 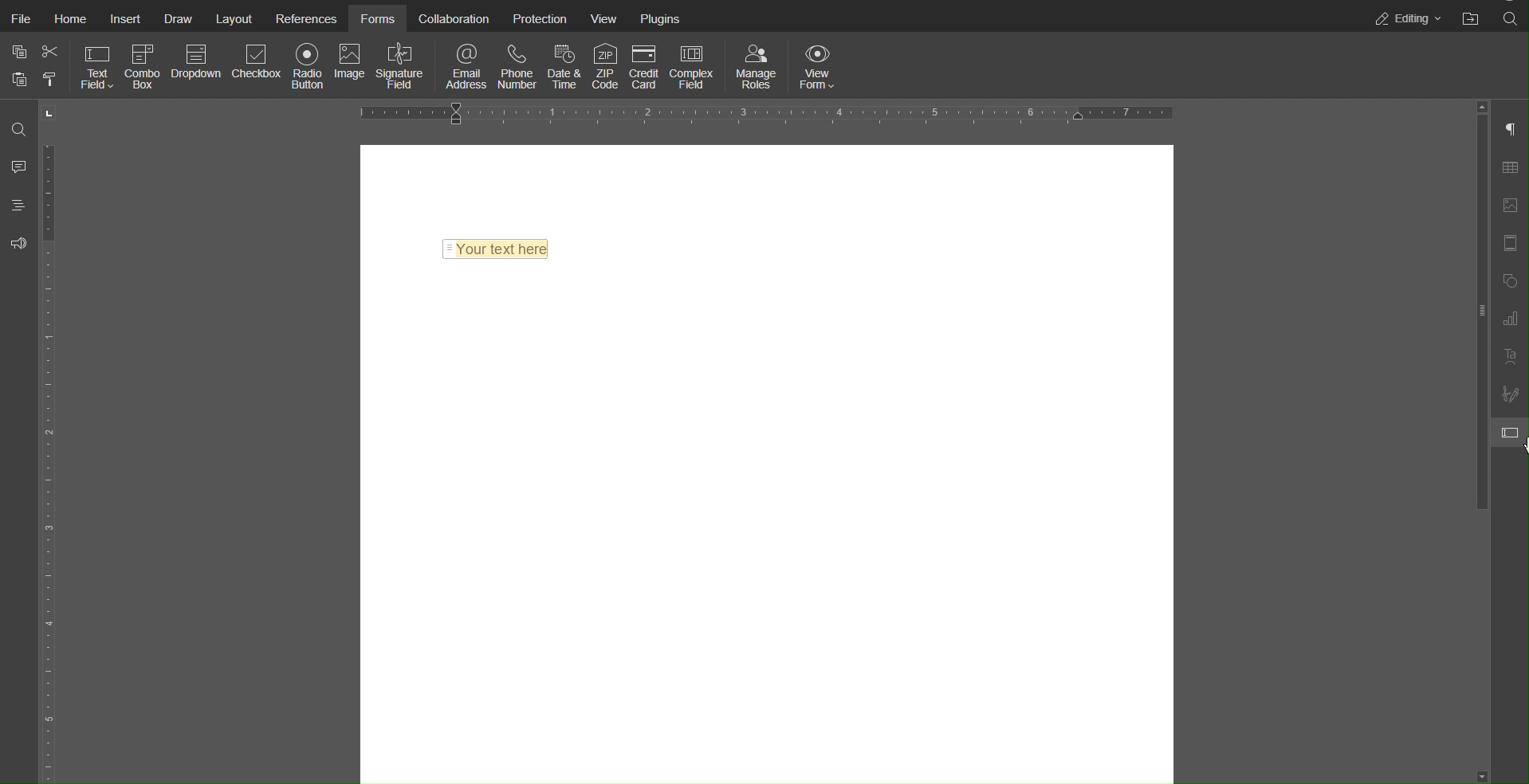 I want to click on Text Field, so click(x=496, y=248).